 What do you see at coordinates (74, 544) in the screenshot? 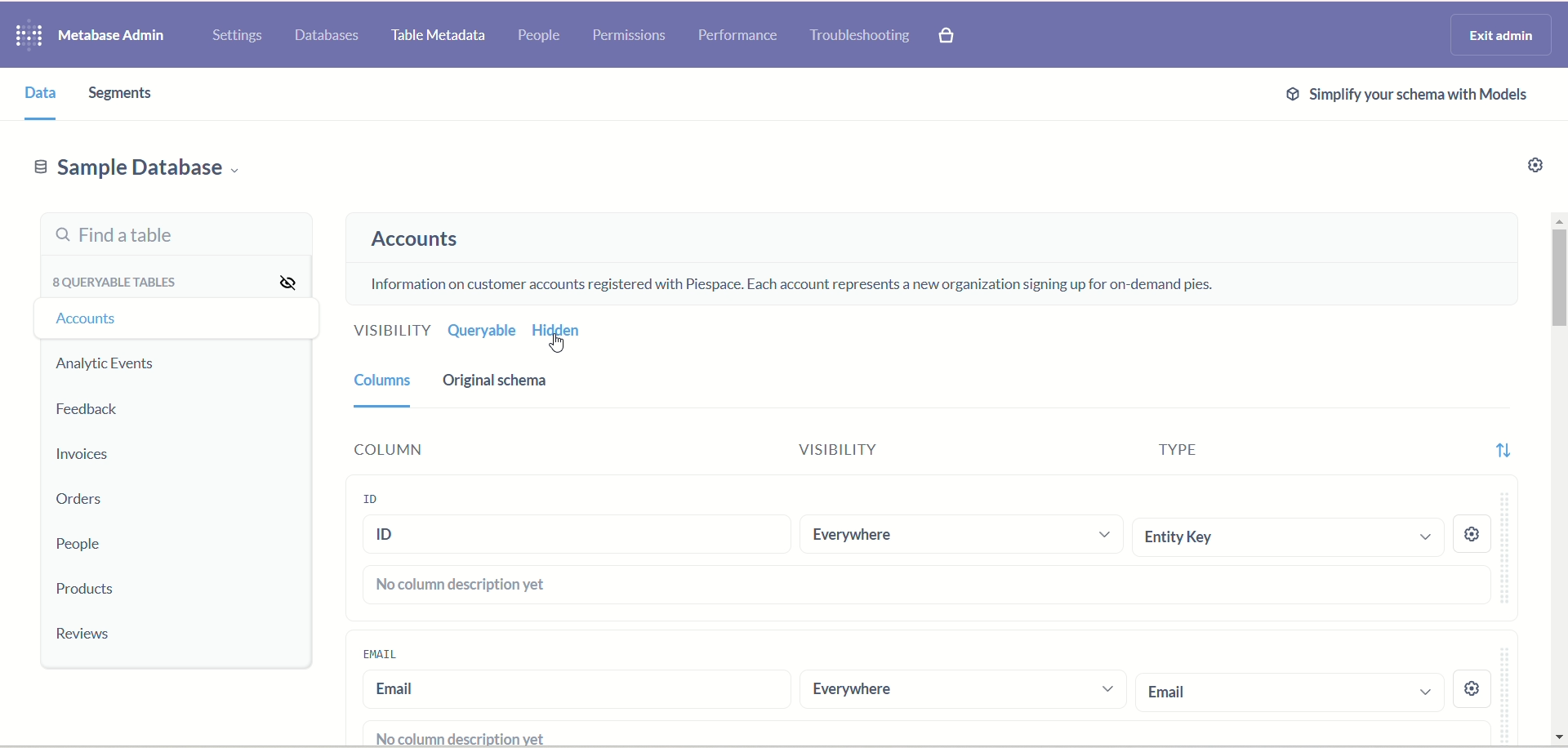
I see `people` at bounding box center [74, 544].